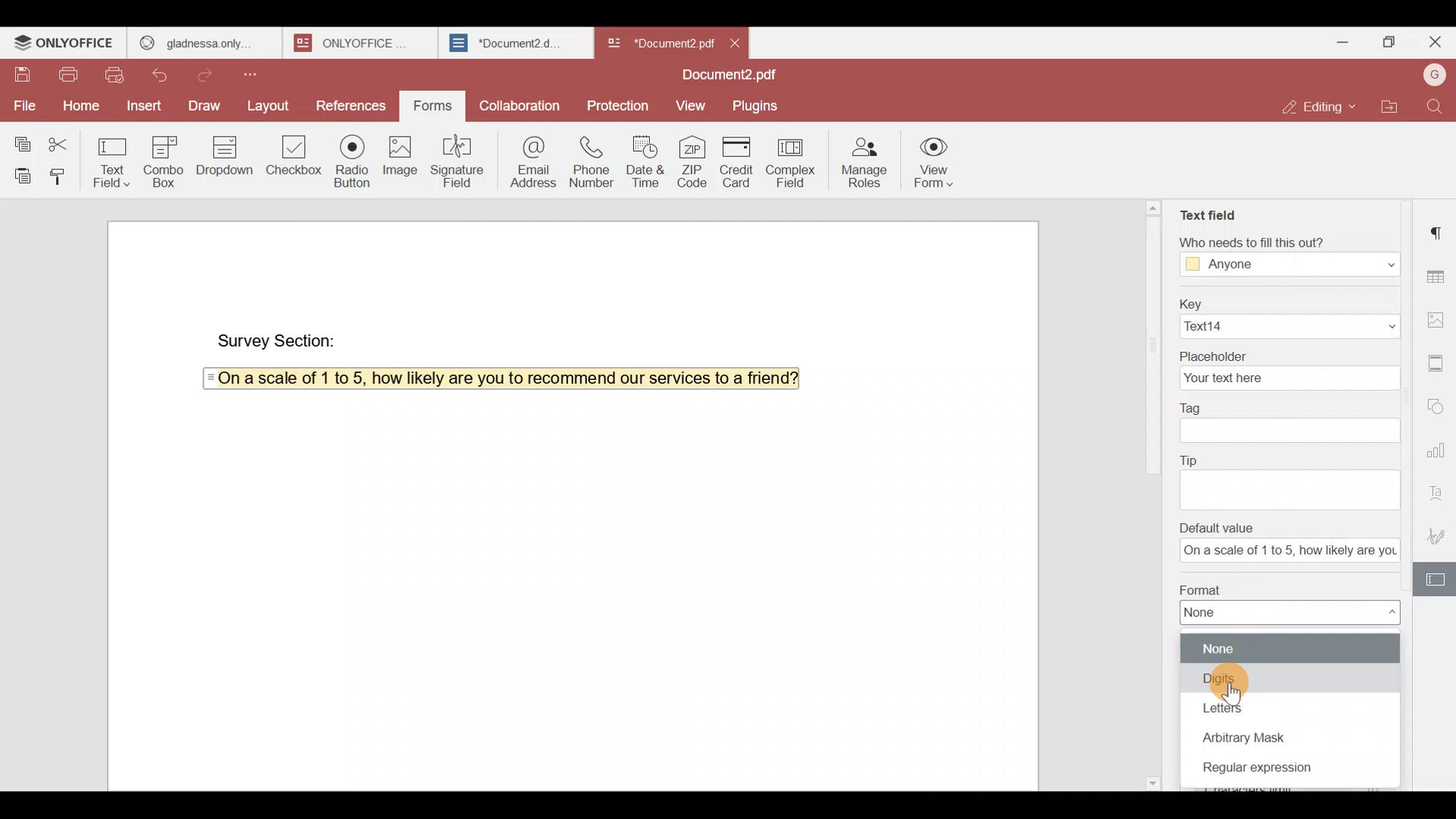 The width and height of the screenshot is (1456, 819). Describe the element at coordinates (24, 105) in the screenshot. I see `File` at that location.